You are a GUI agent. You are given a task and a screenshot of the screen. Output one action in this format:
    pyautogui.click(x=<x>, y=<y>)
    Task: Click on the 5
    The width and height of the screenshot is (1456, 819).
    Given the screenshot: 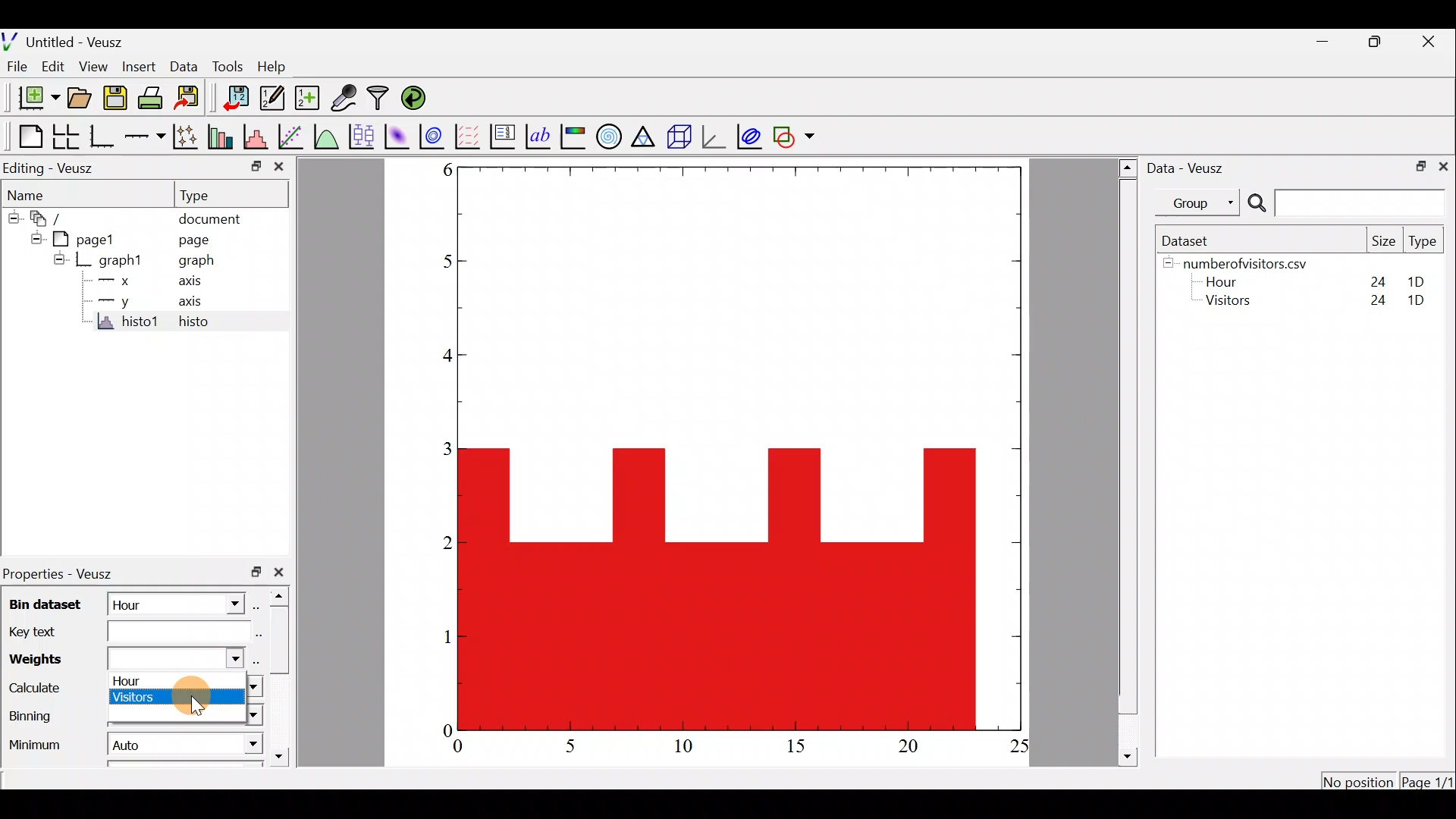 What is the action you would take?
    pyautogui.click(x=573, y=745)
    